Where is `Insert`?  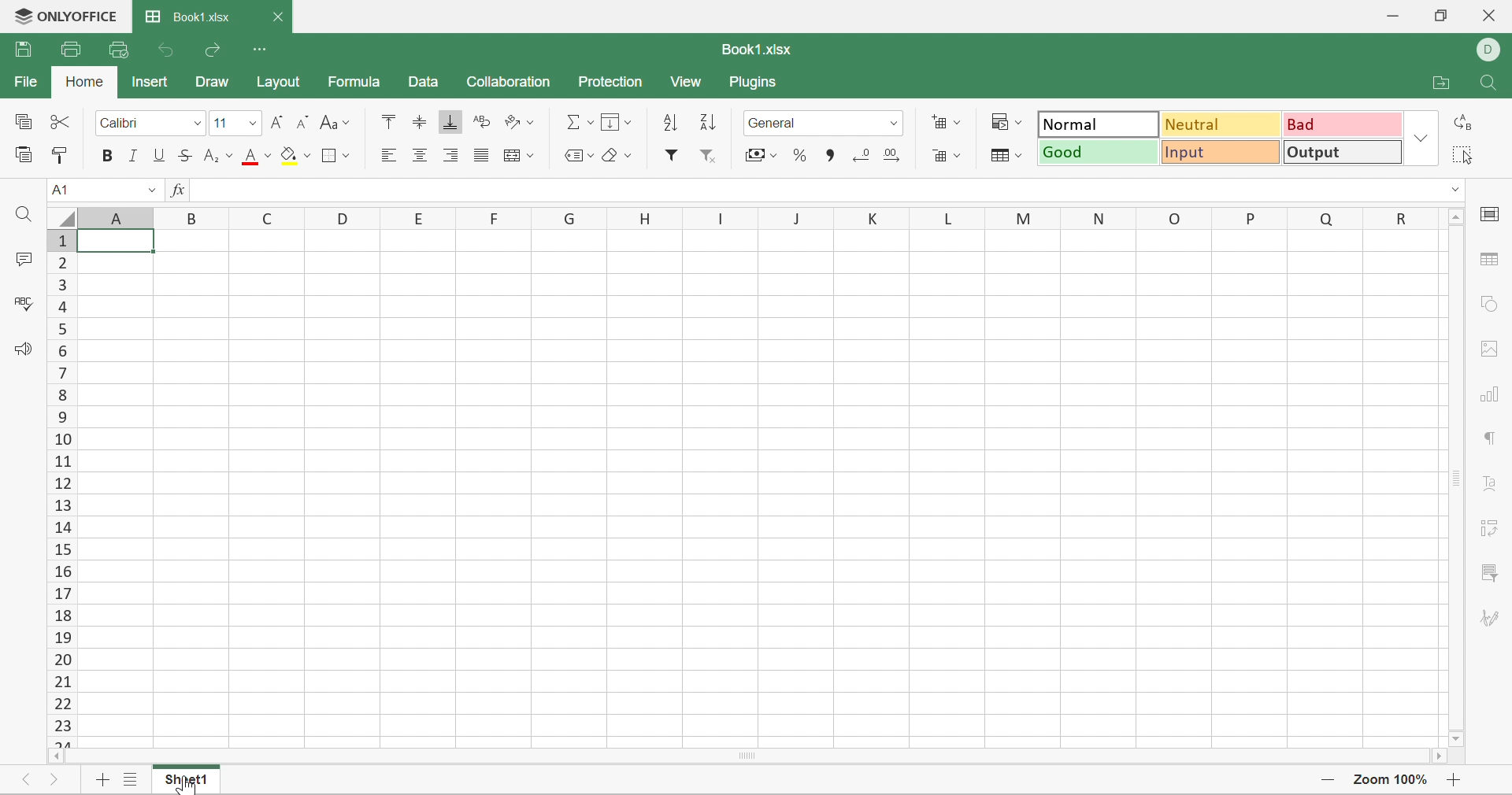
Insert is located at coordinates (150, 81).